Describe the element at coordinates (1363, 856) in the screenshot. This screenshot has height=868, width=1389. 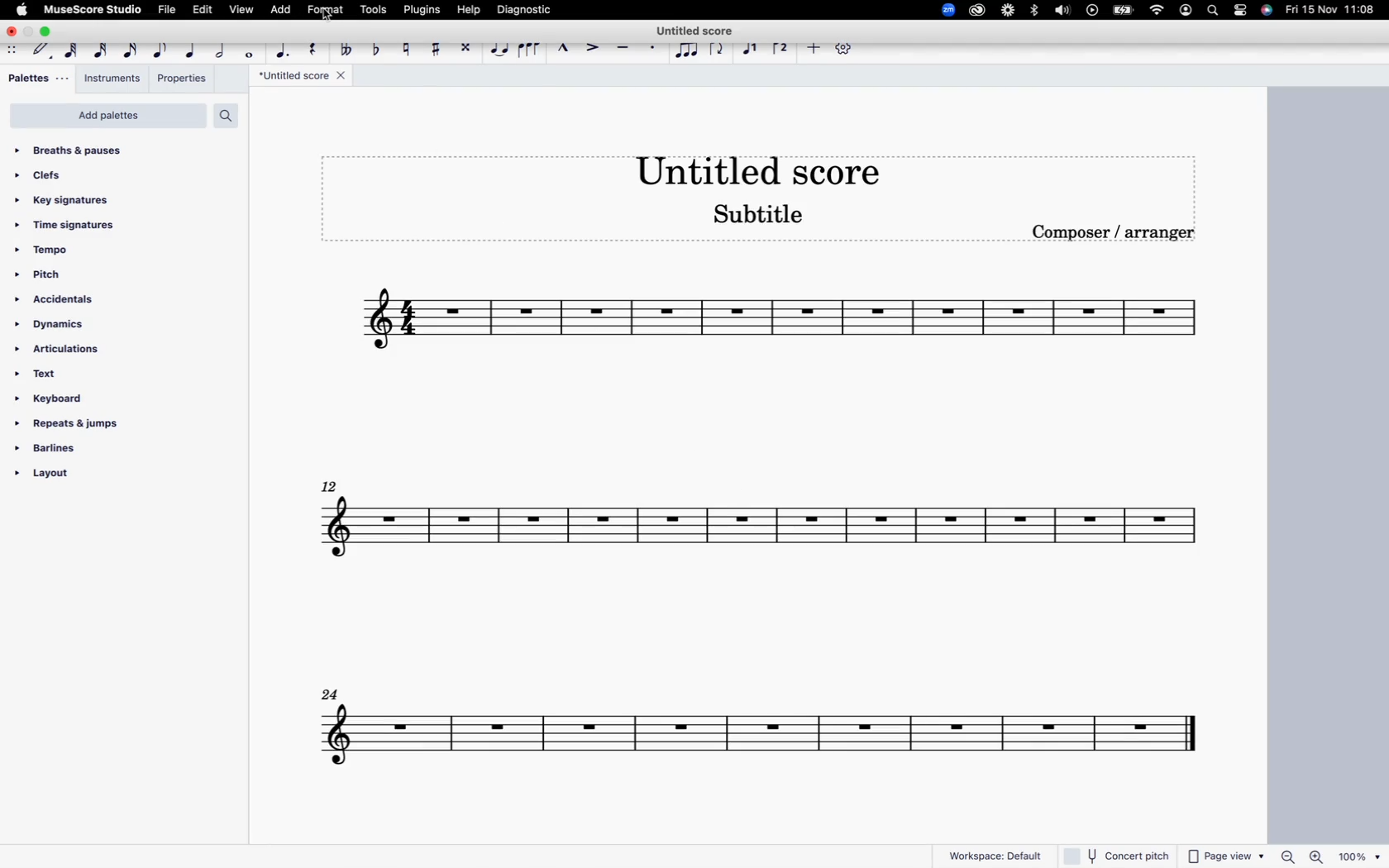
I see `zoom percentage` at that location.